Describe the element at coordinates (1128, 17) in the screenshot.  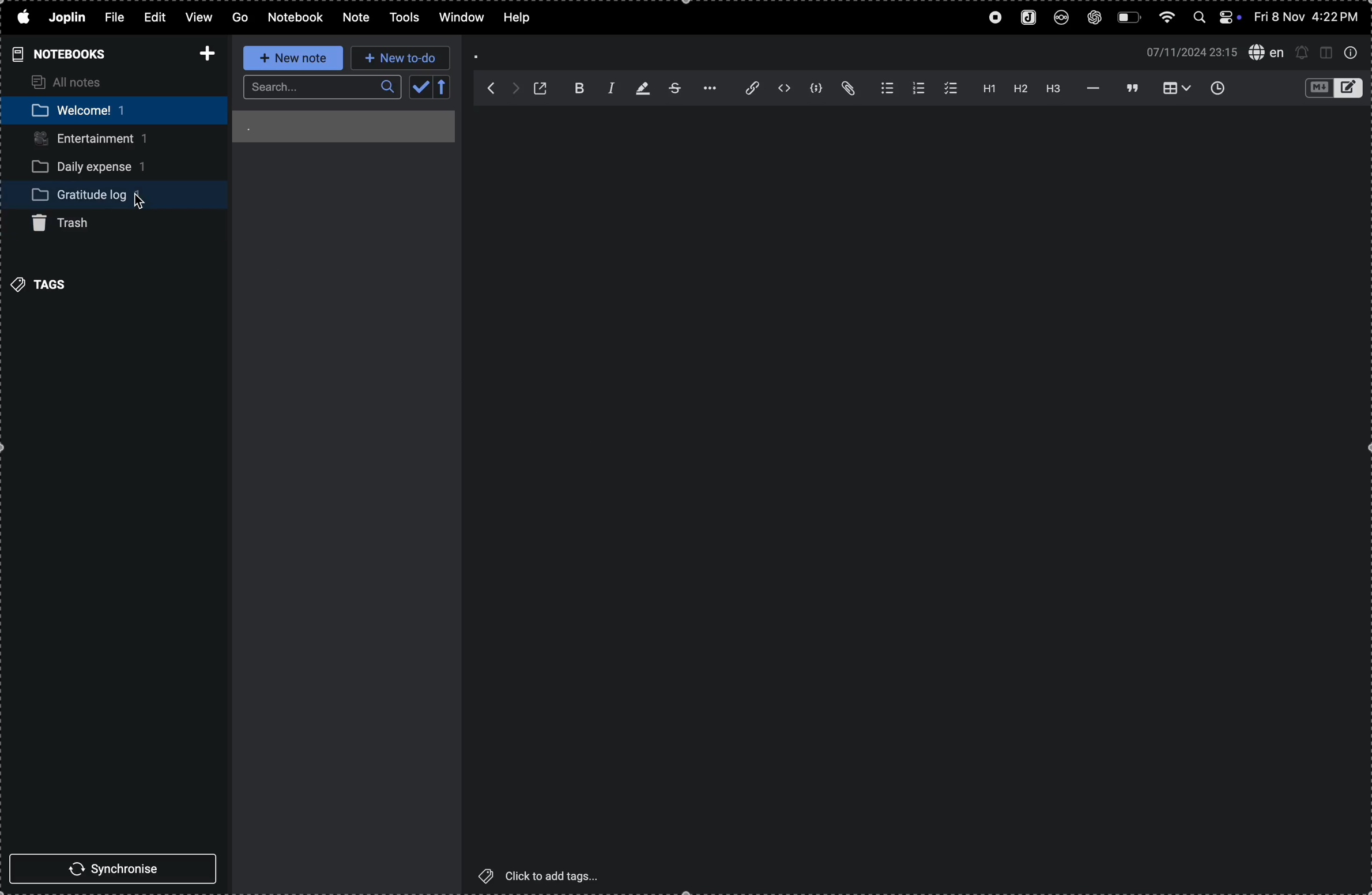
I see `battery` at that location.